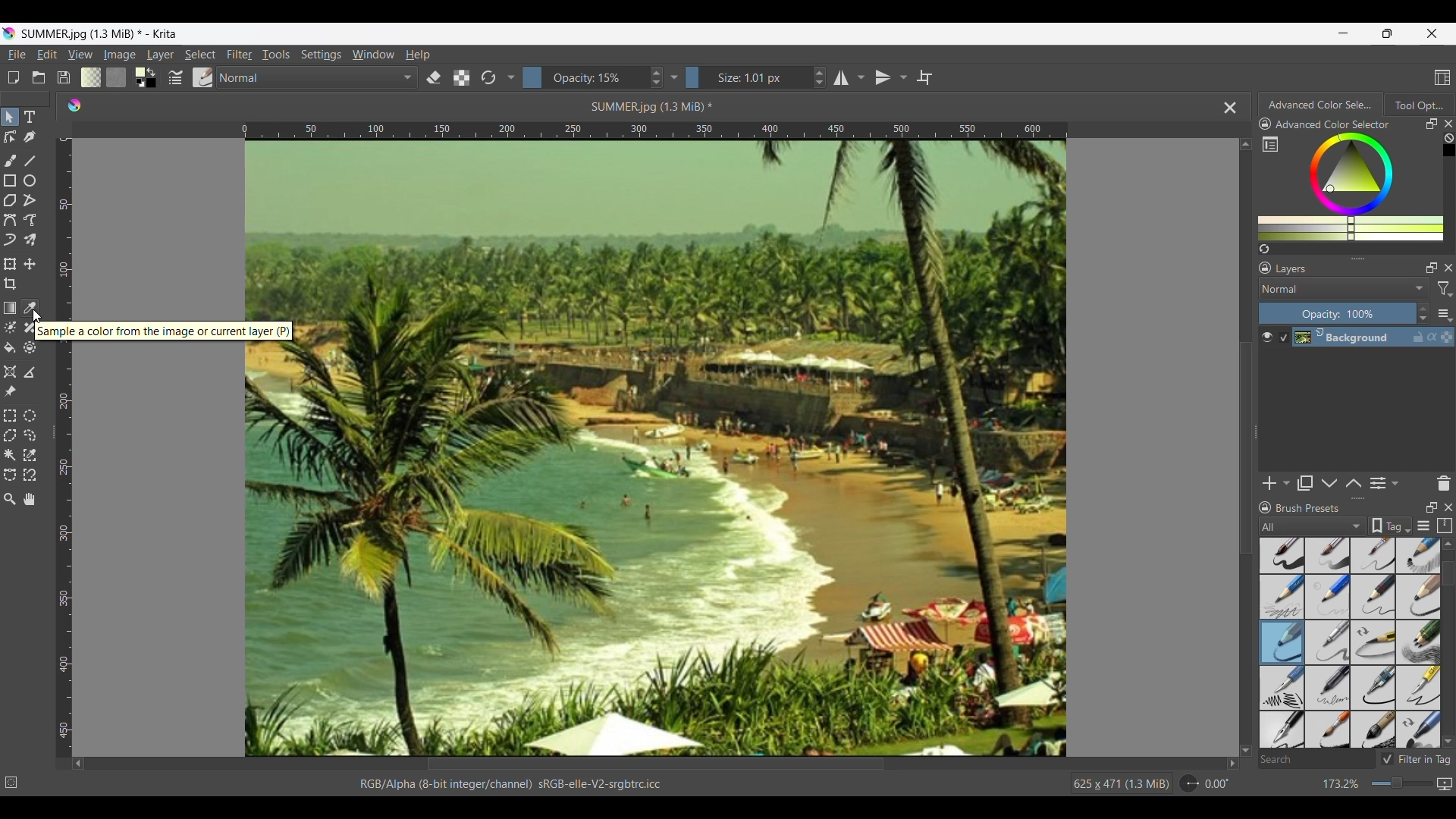  What do you see at coordinates (1352, 258) in the screenshot?
I see `Change height of panels attached to the line` at bounding box center [1352, 258].